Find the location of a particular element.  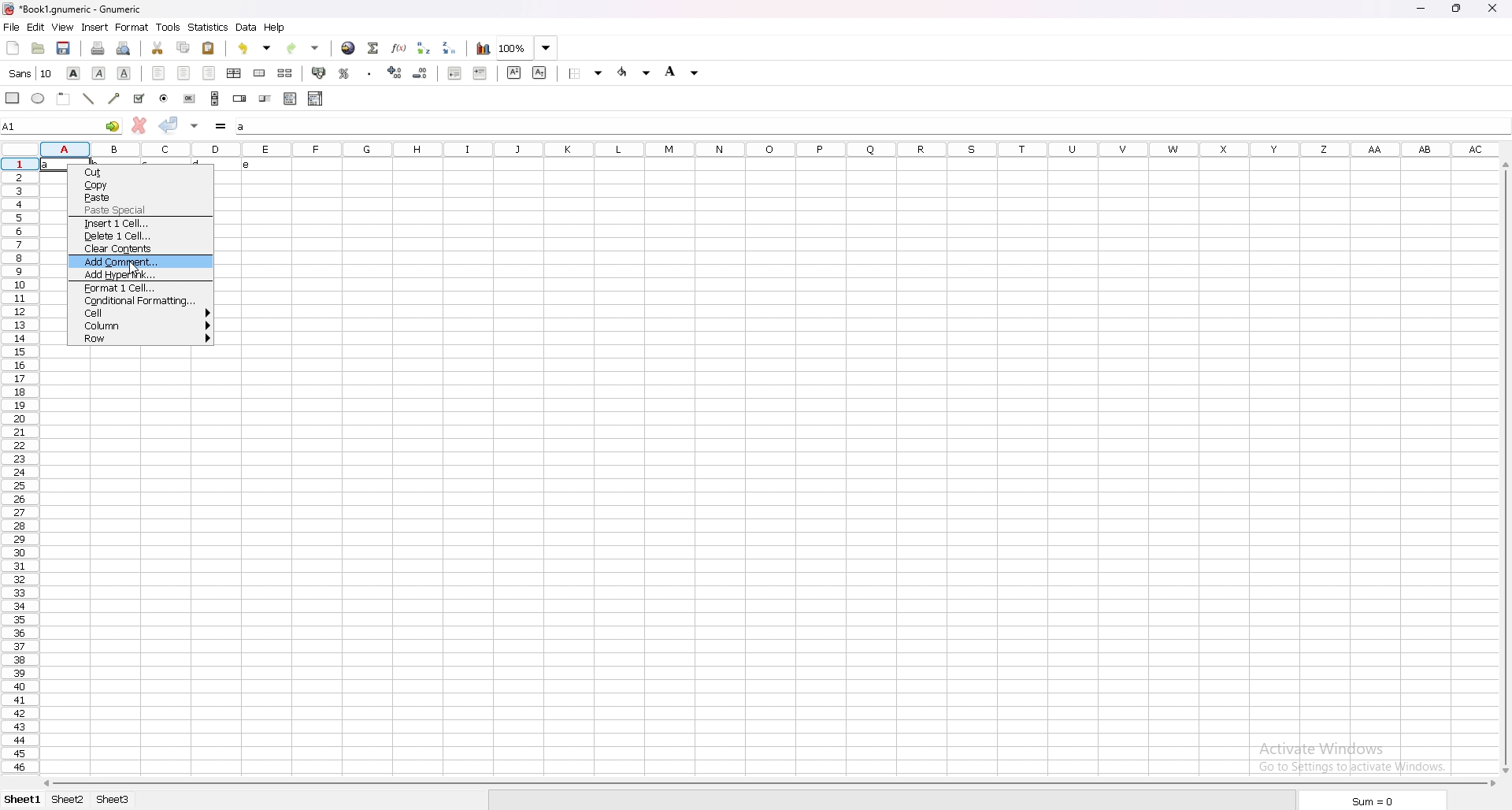

increase decimals is located at coordinates (395, 72).